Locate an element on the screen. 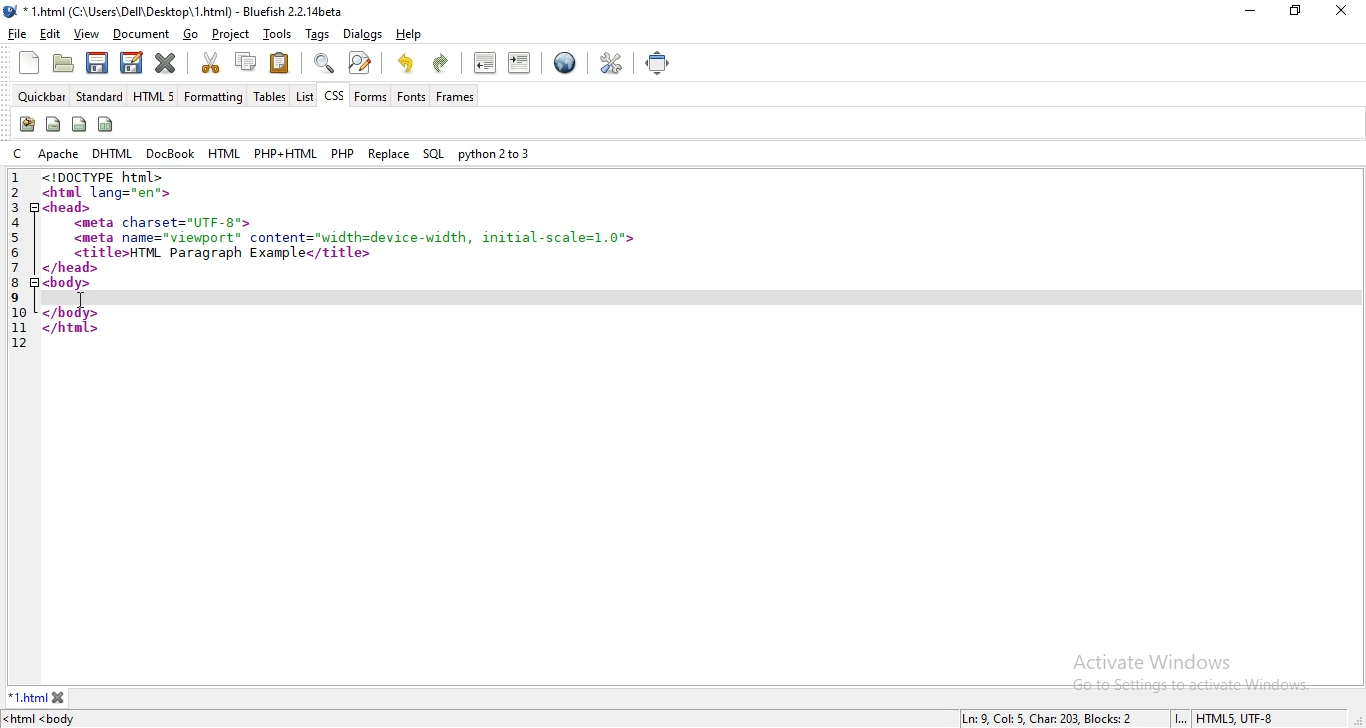  paste is located at coordinates (280, 63).